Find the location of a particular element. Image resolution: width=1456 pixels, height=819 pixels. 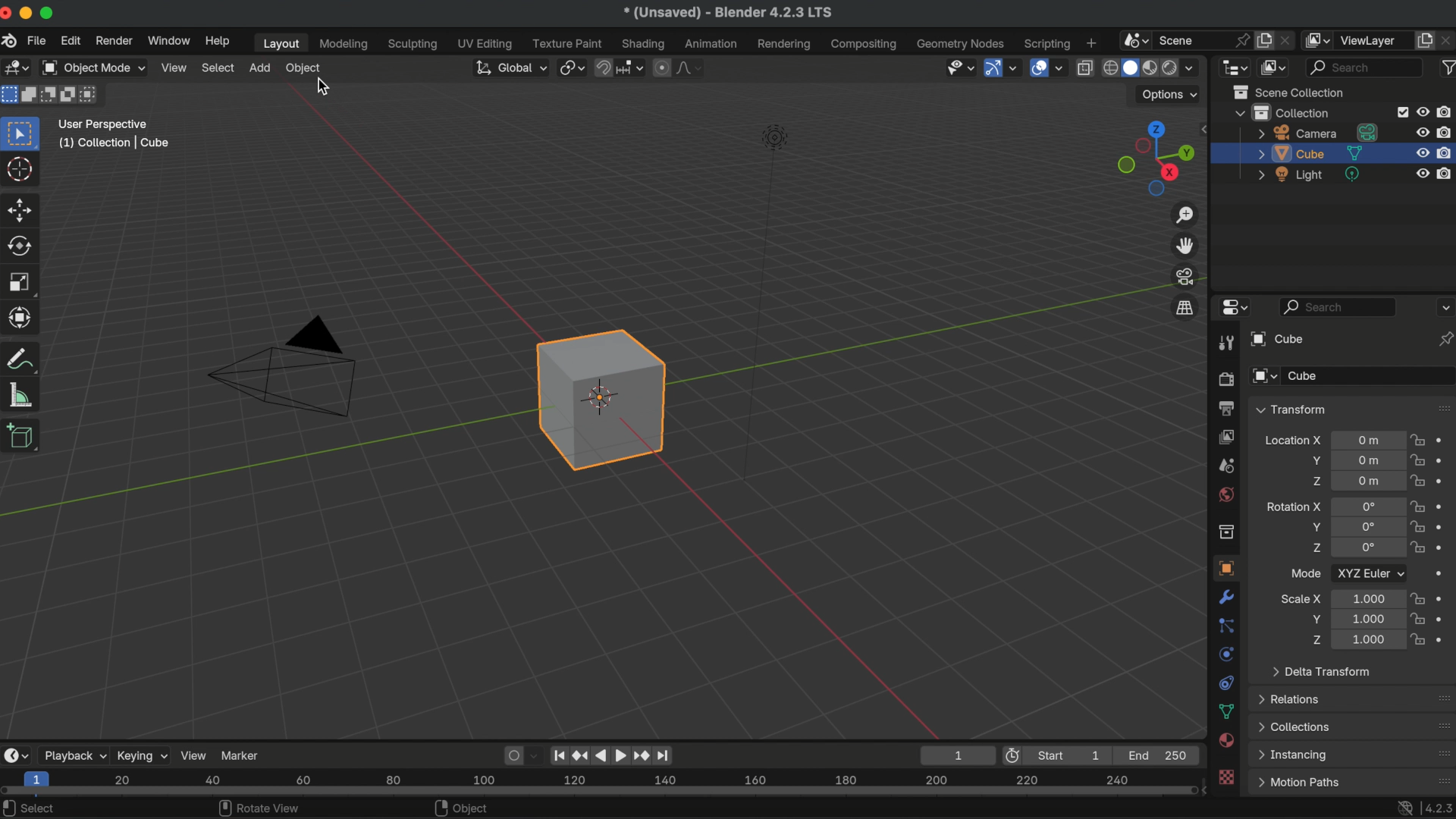

modelling is located at coordinates (344, 45).